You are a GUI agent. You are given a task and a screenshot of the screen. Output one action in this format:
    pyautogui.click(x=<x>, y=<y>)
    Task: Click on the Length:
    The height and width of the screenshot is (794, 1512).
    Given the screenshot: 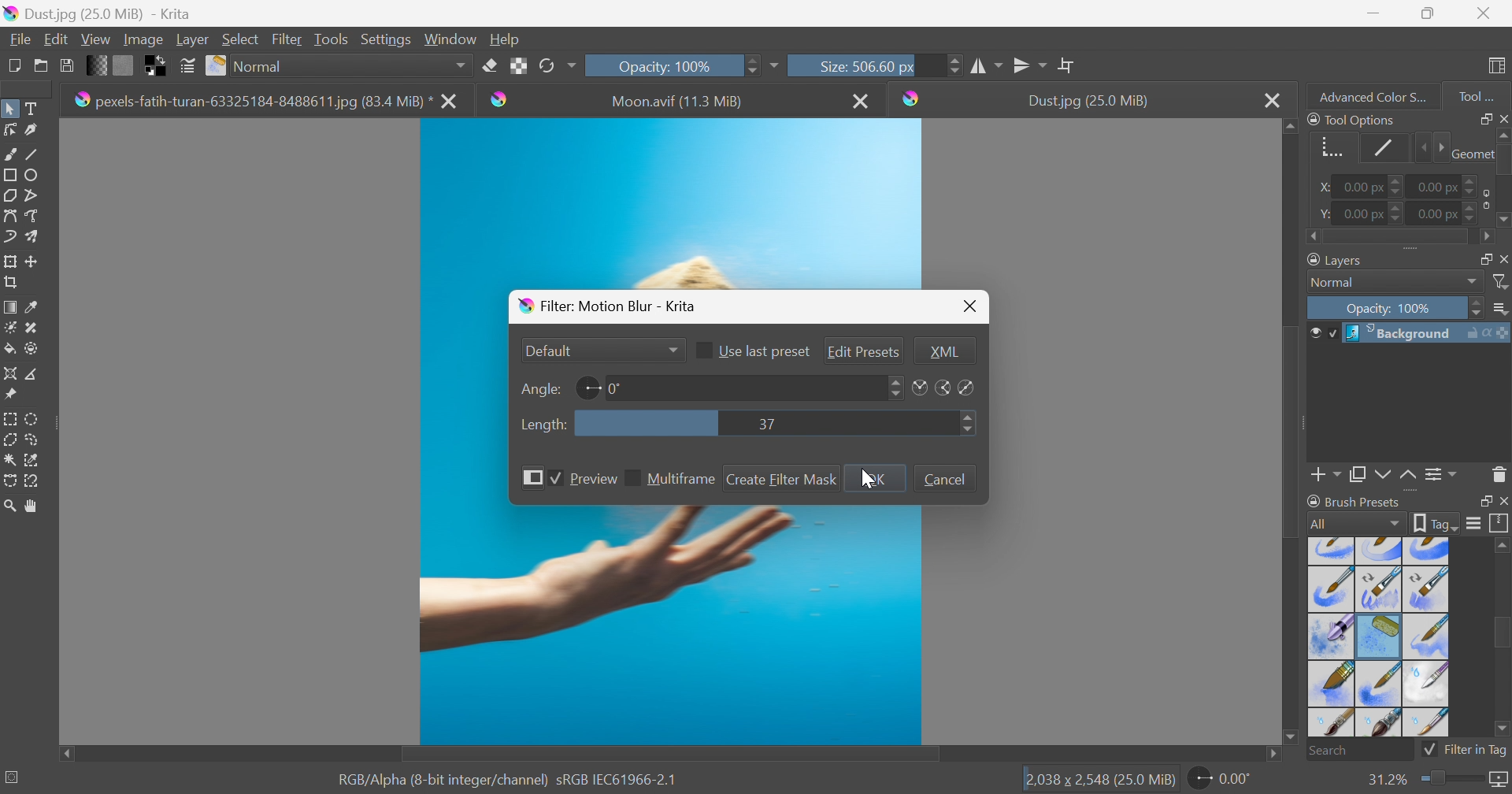 What is the action you would take?
    pyautogui.click(x=543, y=425)
    